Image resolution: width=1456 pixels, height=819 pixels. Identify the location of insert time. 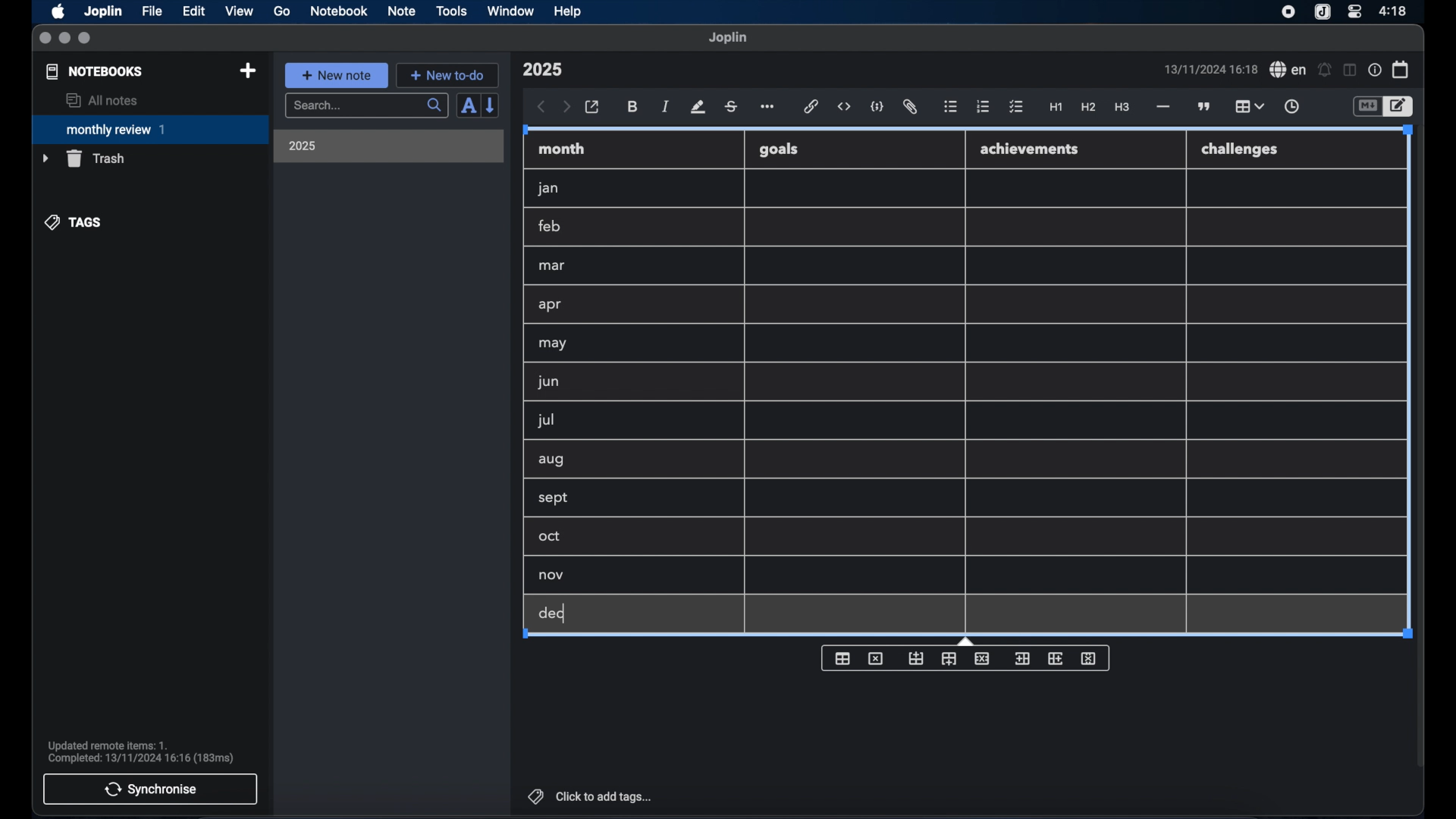
(1291, 107).